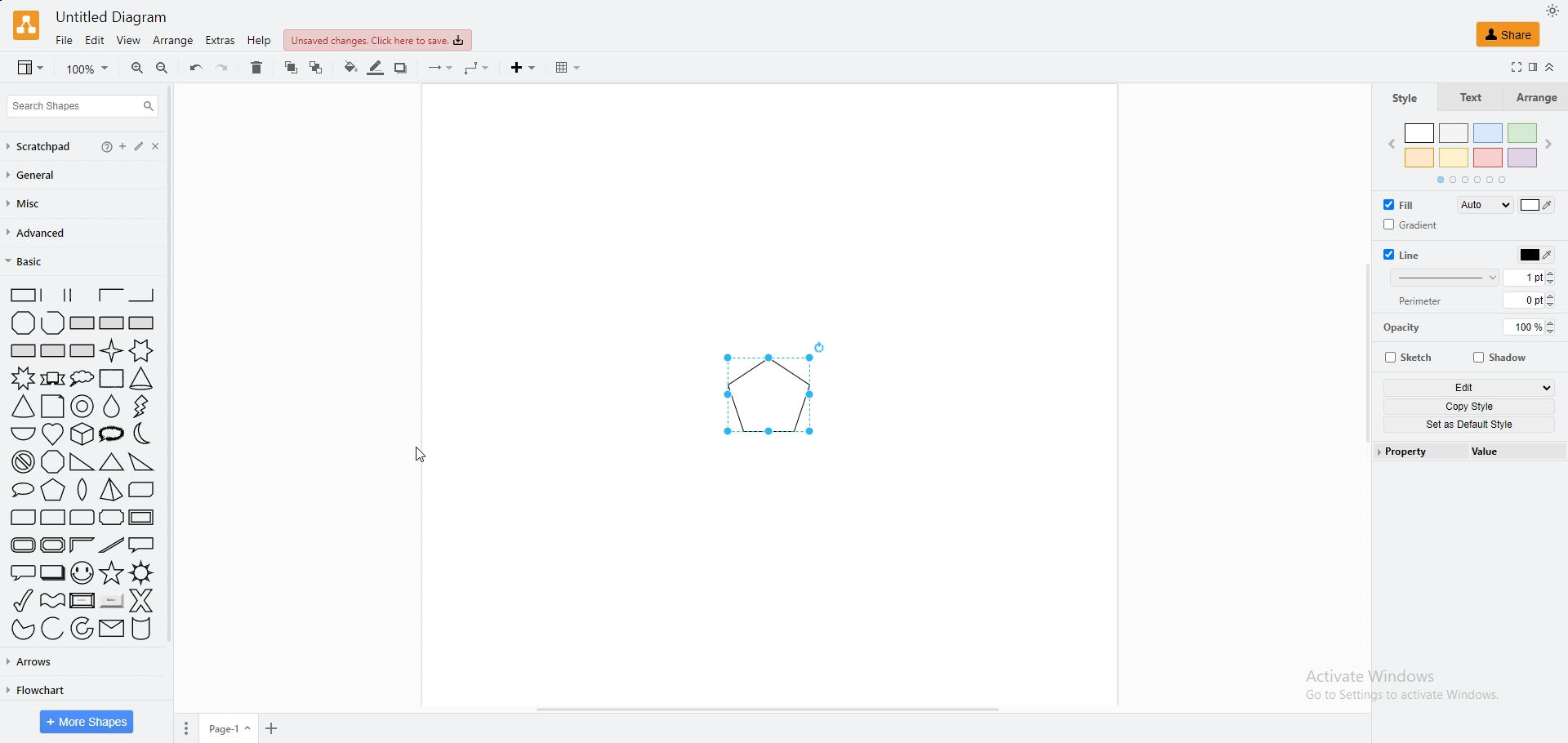 The width and height of the screenshot is (1568, 743). What do you see at coordinates (34, 690) in the screenshot?
I see `flowchart` at bounding box center [34, 690].